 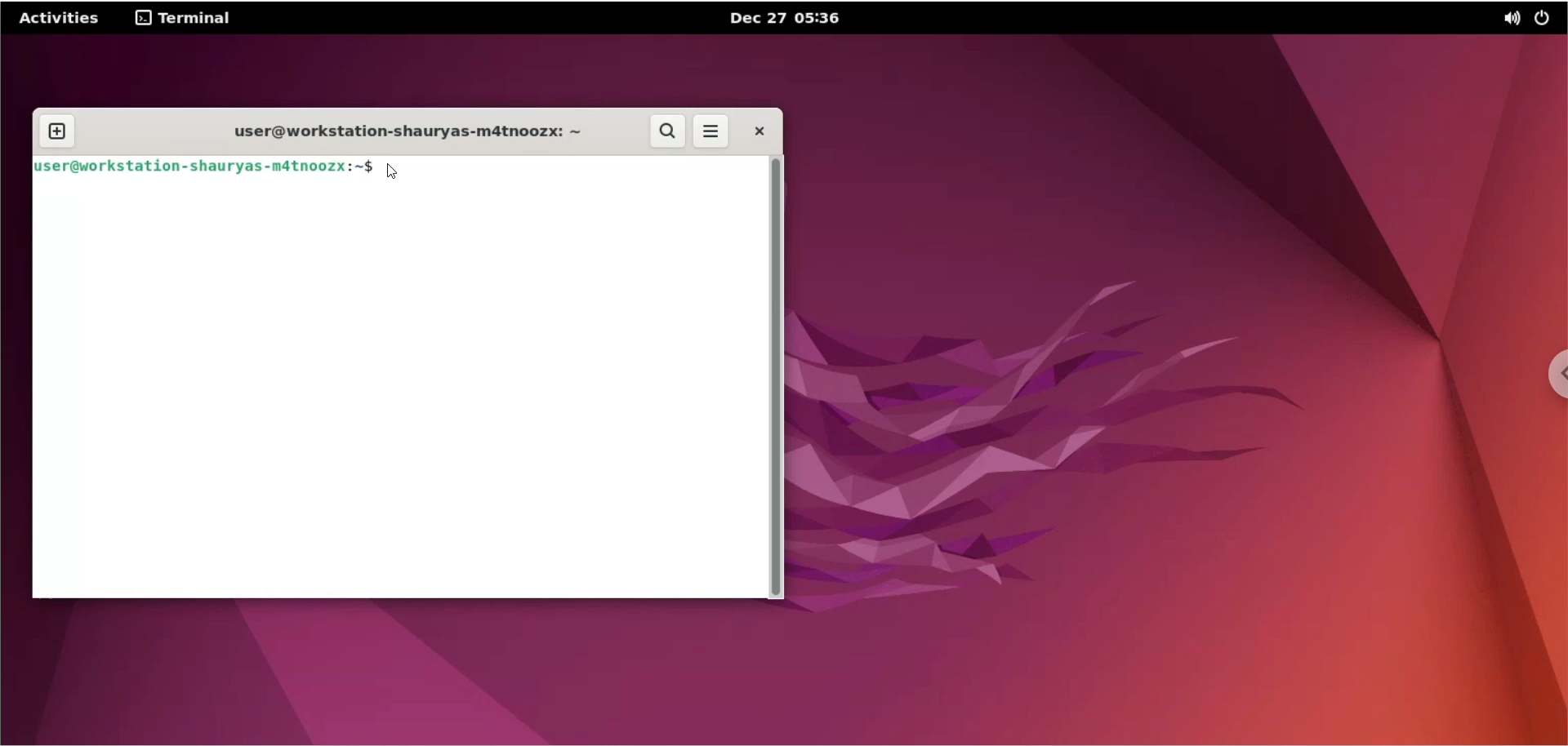 What do you see at coordinates (1546, 18) in the screenshot?
I see `power options` at bounding box center [1546, 18].